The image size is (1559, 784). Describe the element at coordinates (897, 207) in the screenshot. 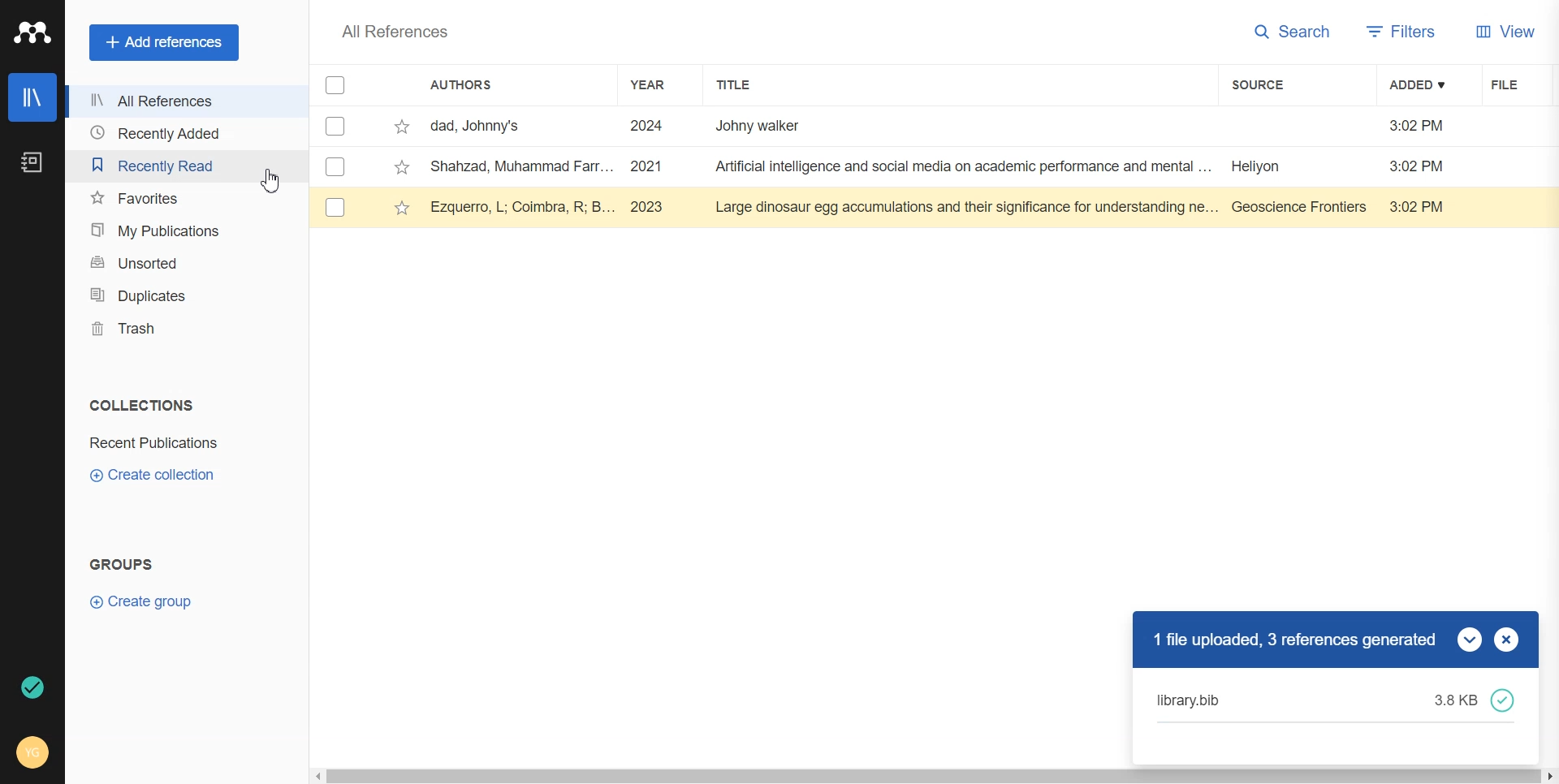

I see `Ezquerro, L; Coimbra, R; B... 2023 Large dinosaur egg accumulations and their significance for understanding ne... Geoscience Frontiers ~~ 3:02 PM` at that location.